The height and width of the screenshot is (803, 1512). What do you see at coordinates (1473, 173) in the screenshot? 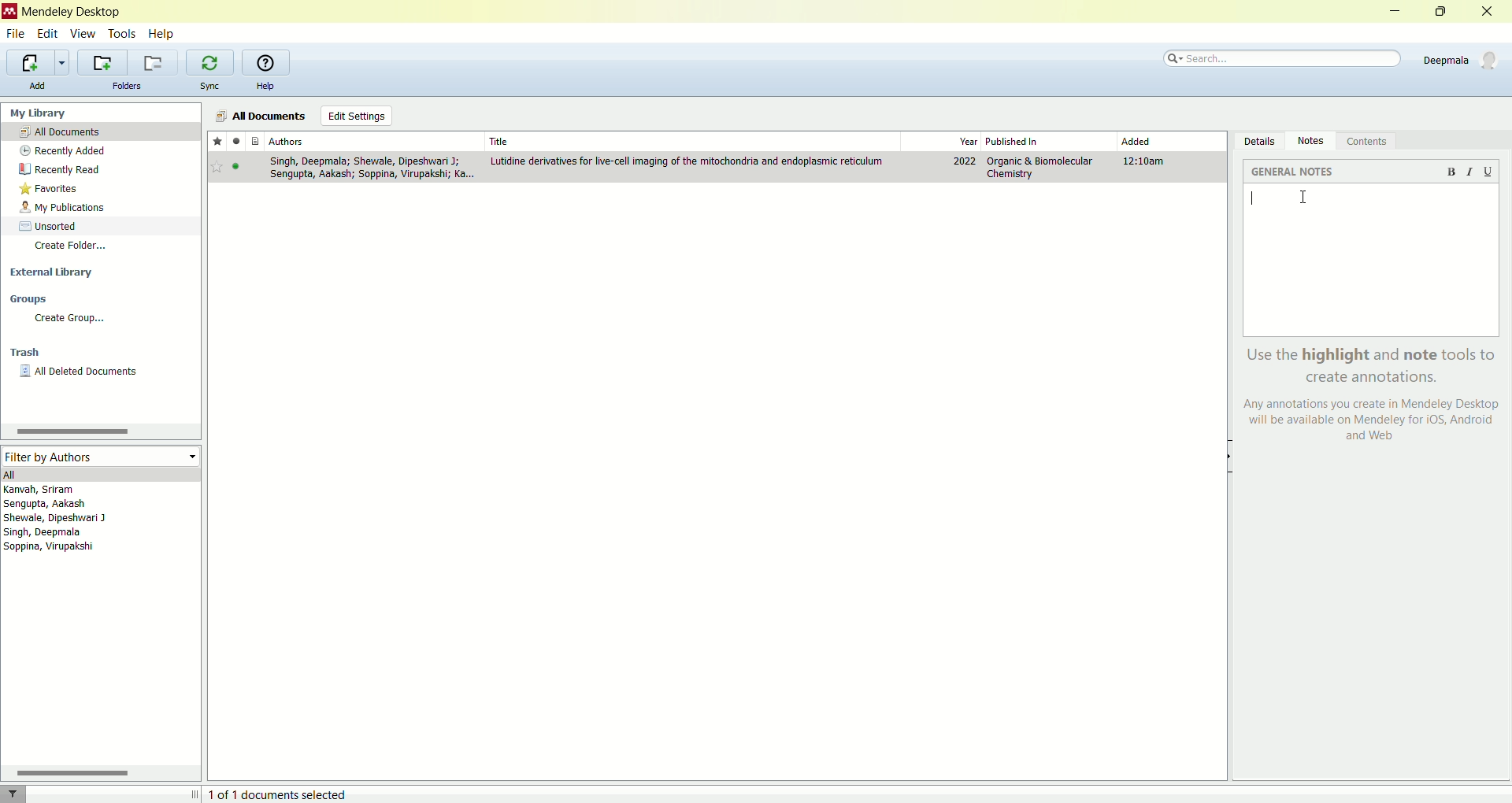
I see `italics` at bounding box center [1473, 173].